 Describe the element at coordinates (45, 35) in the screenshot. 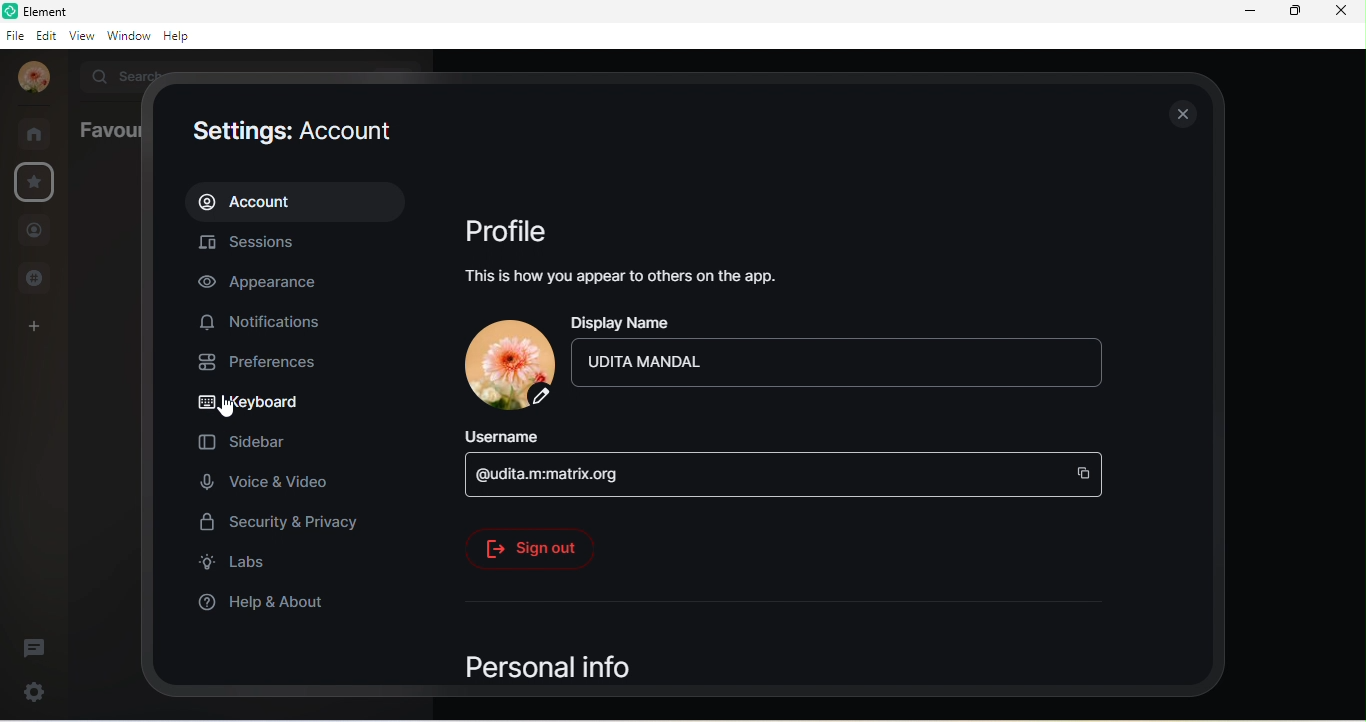

I see `edit` at that location.